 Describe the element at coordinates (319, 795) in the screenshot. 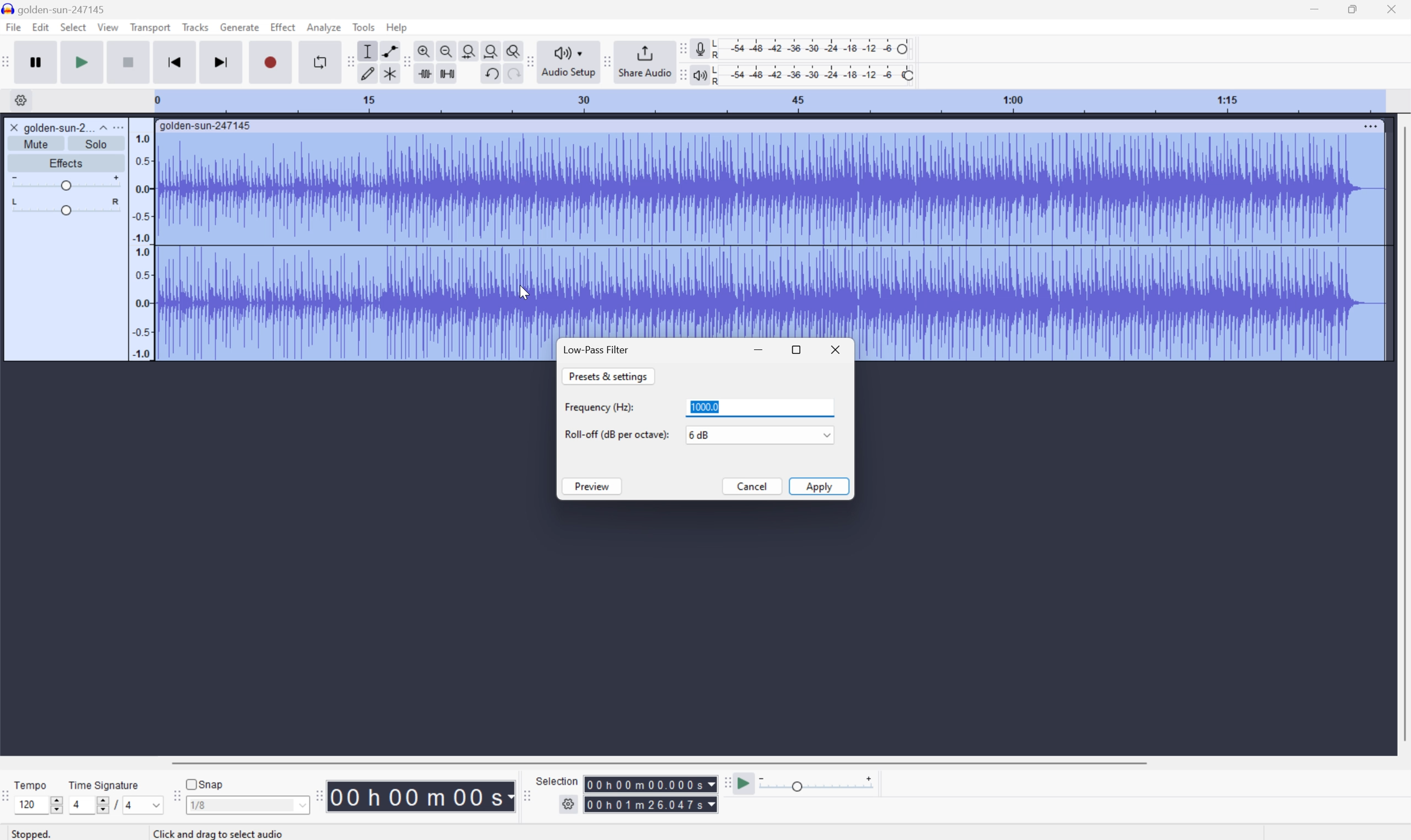

I see `Audacity toolbar` at that location.